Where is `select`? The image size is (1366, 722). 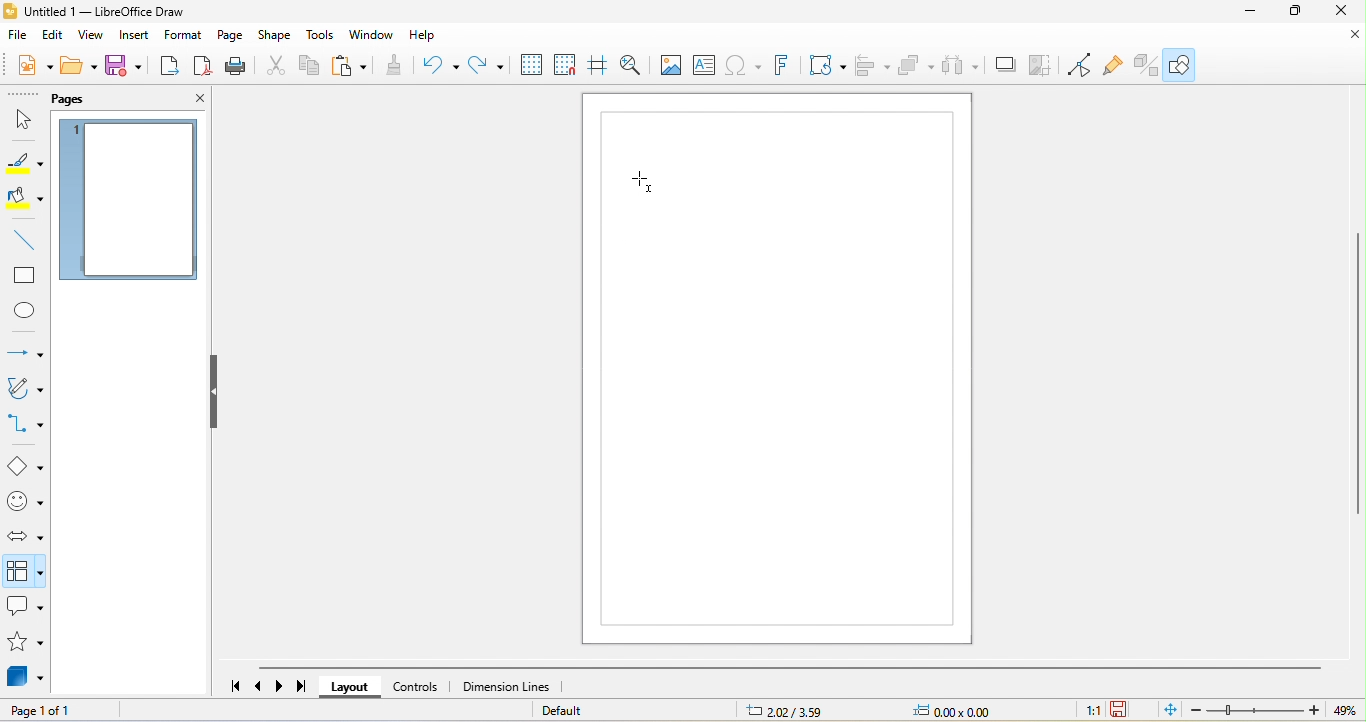
select is located at coordinates (24, 120).